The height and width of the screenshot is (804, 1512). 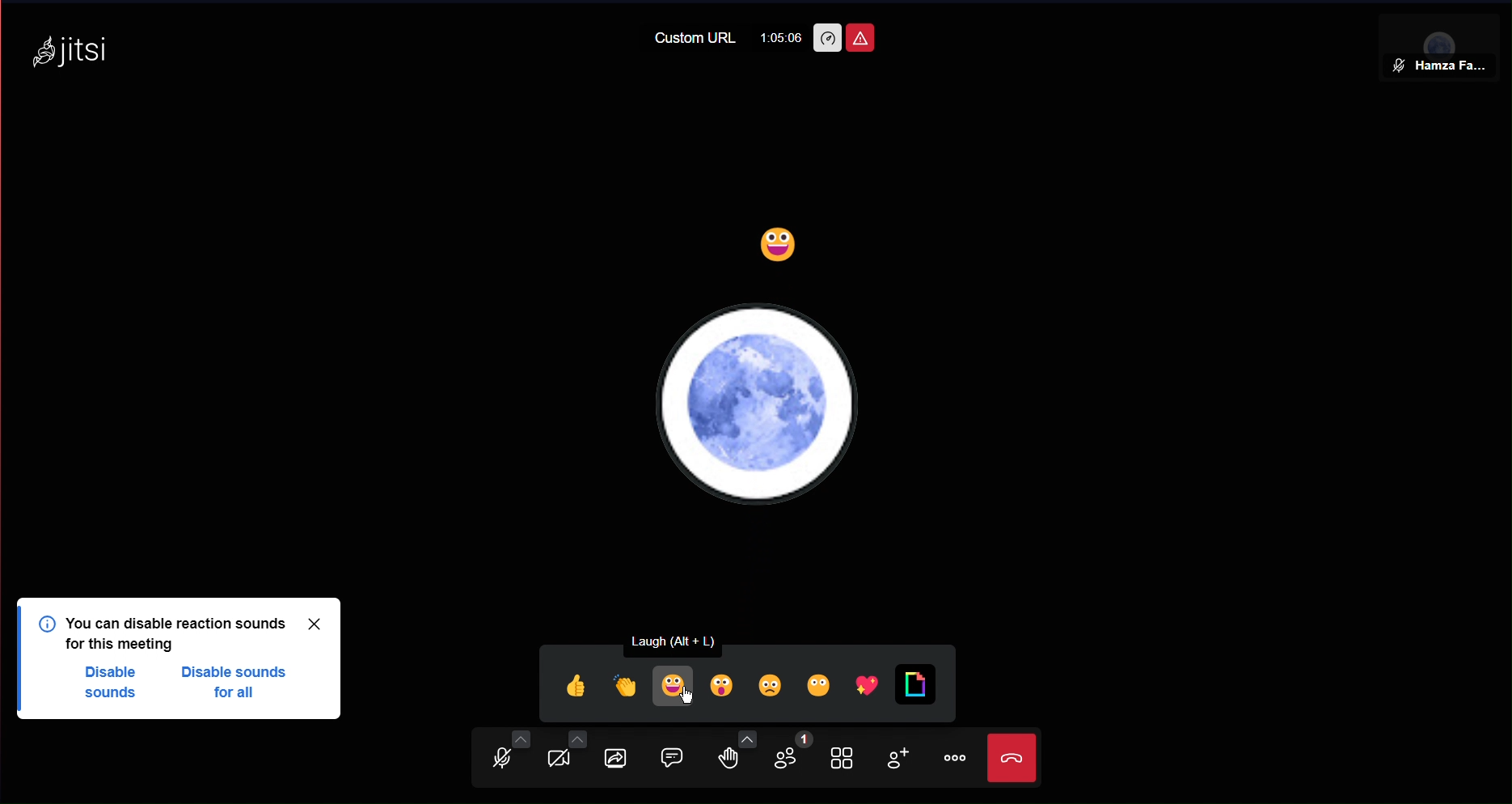 What do you see at coordinates (184, 632) in the screenshot?
I see `You can disable reaction sounds for this meeting` at bounding box center [184, 632].